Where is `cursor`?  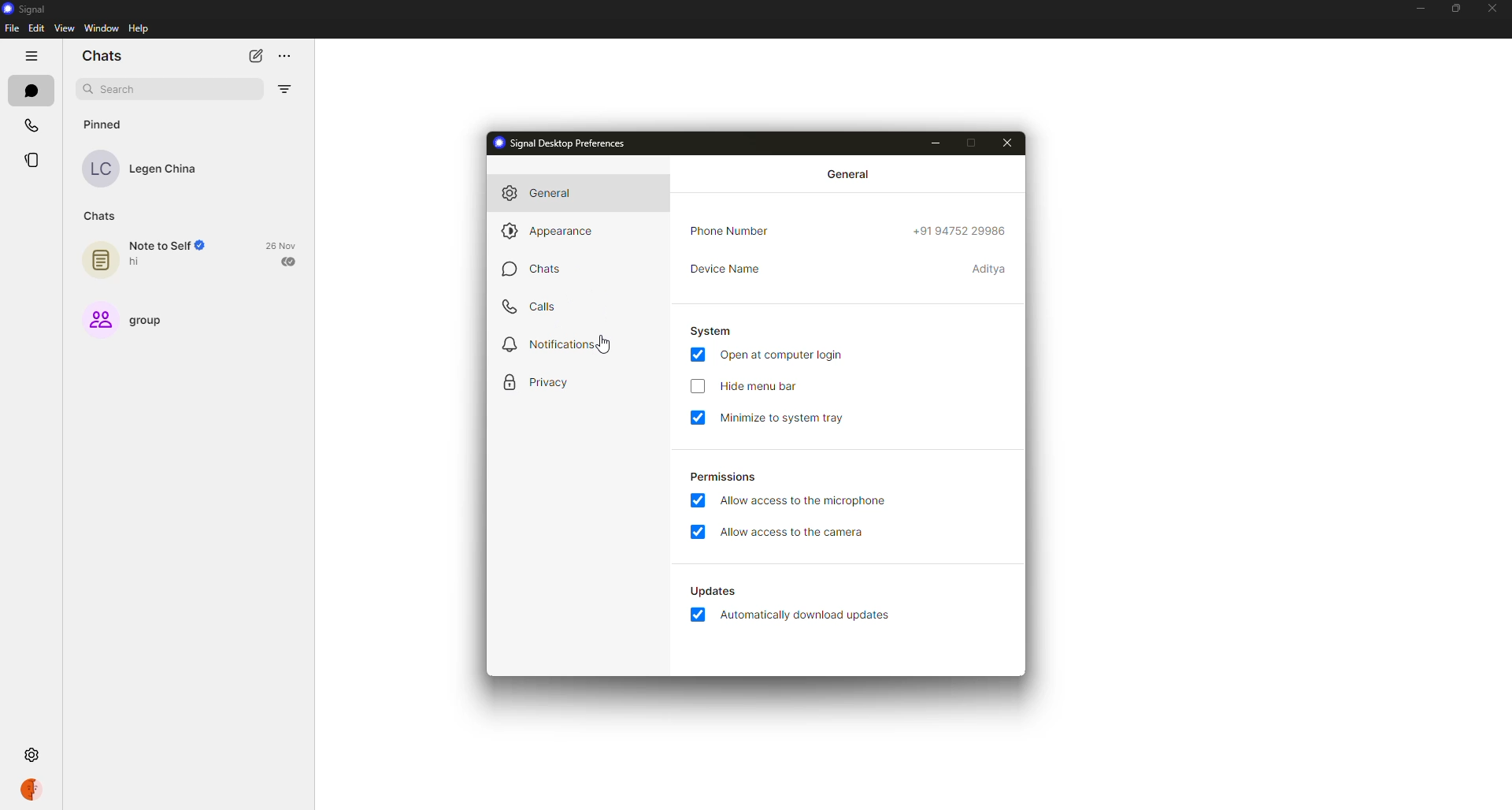 cursor is located at coordinates (606, 346).